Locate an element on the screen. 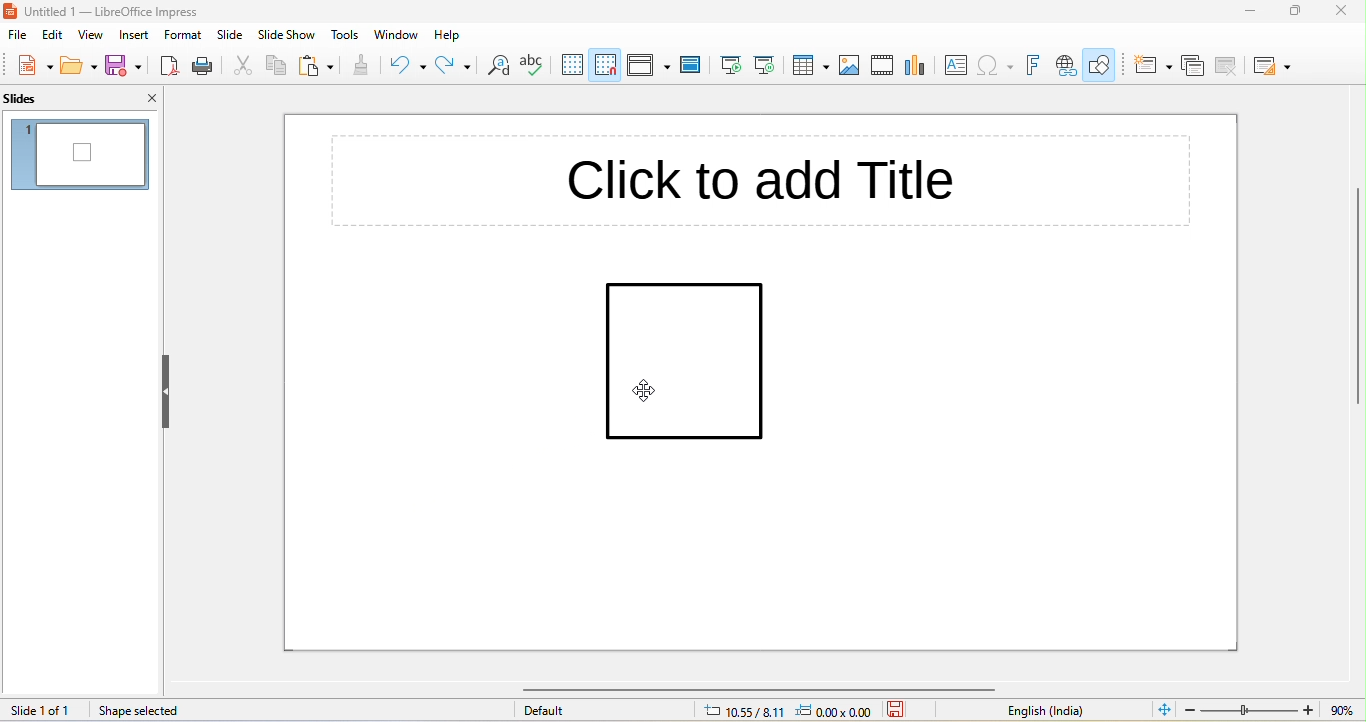  save is located at coordinates (124, 64).